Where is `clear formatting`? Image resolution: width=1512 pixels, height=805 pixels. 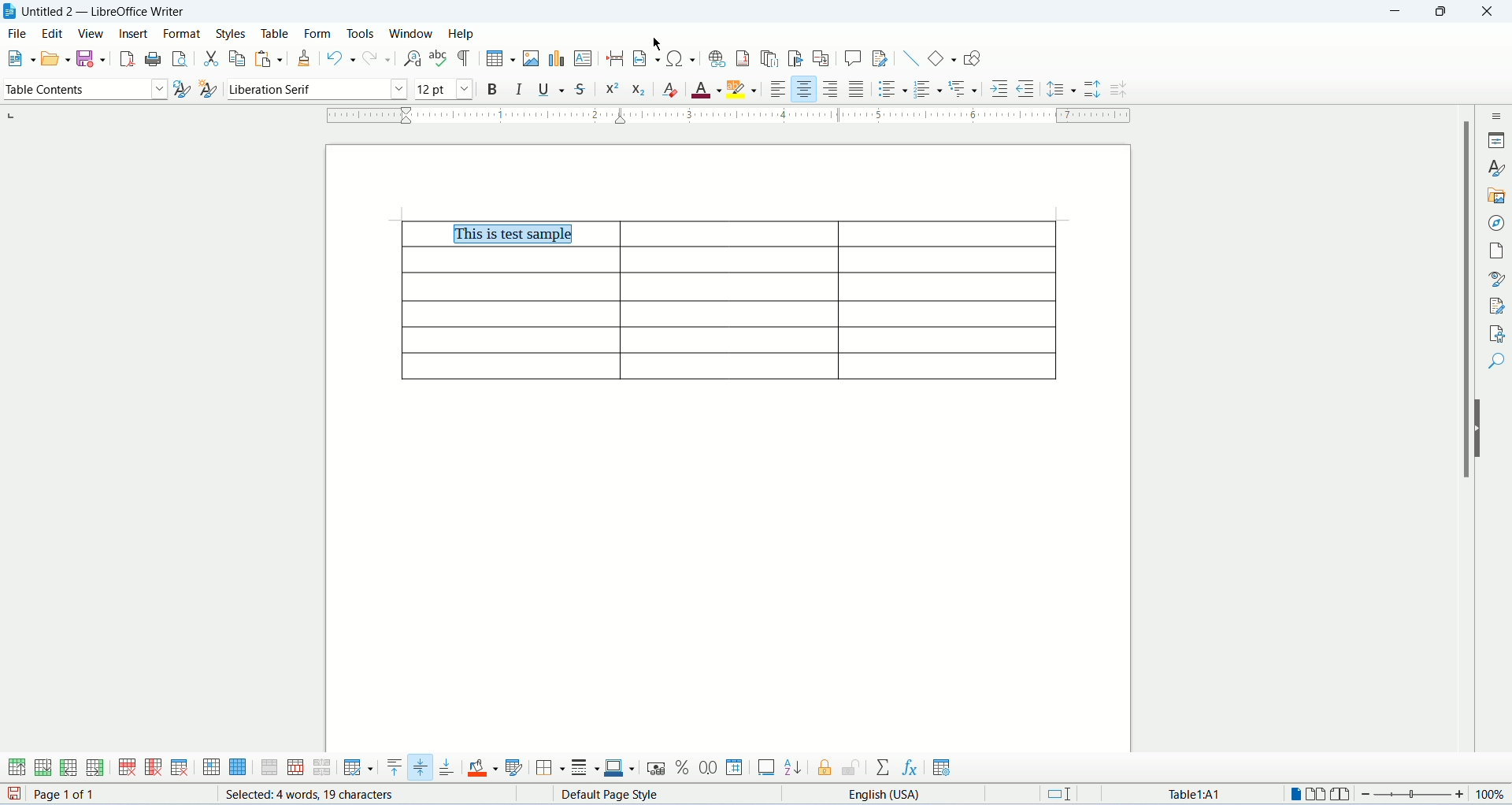 clear formatting is located at coordinates (670, 89).